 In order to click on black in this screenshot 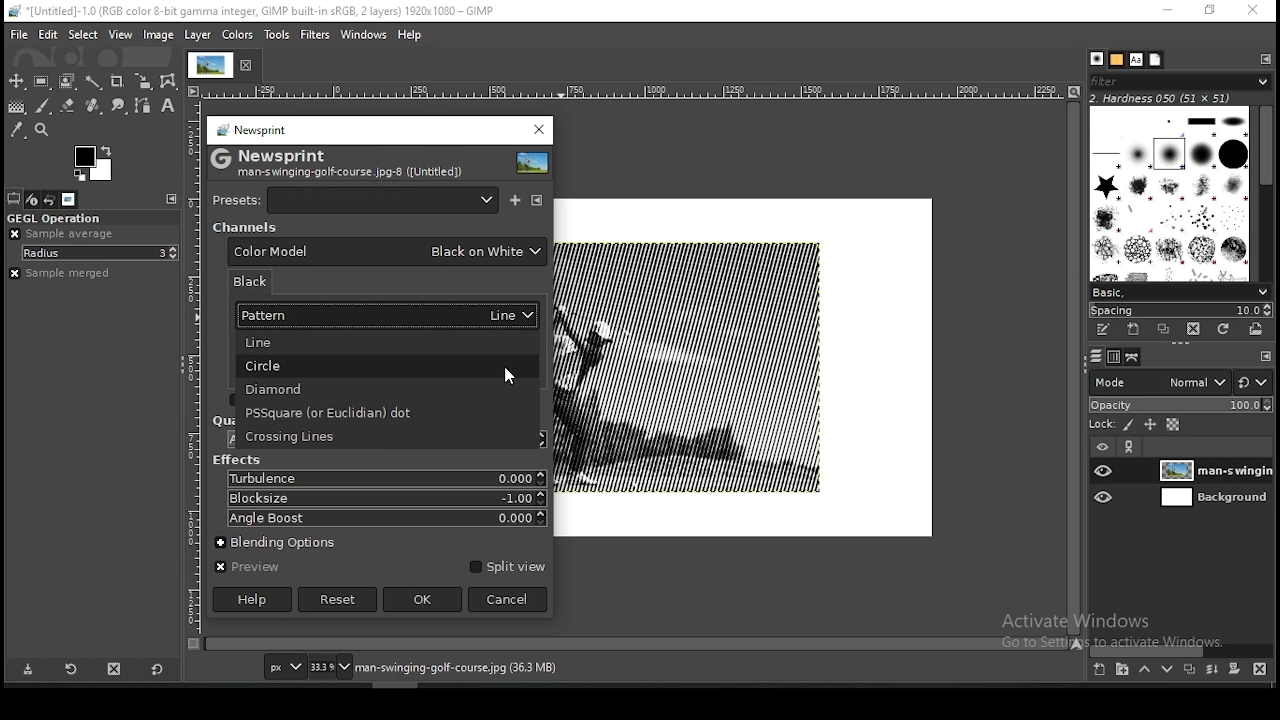, I will do `click(258, 281)`.